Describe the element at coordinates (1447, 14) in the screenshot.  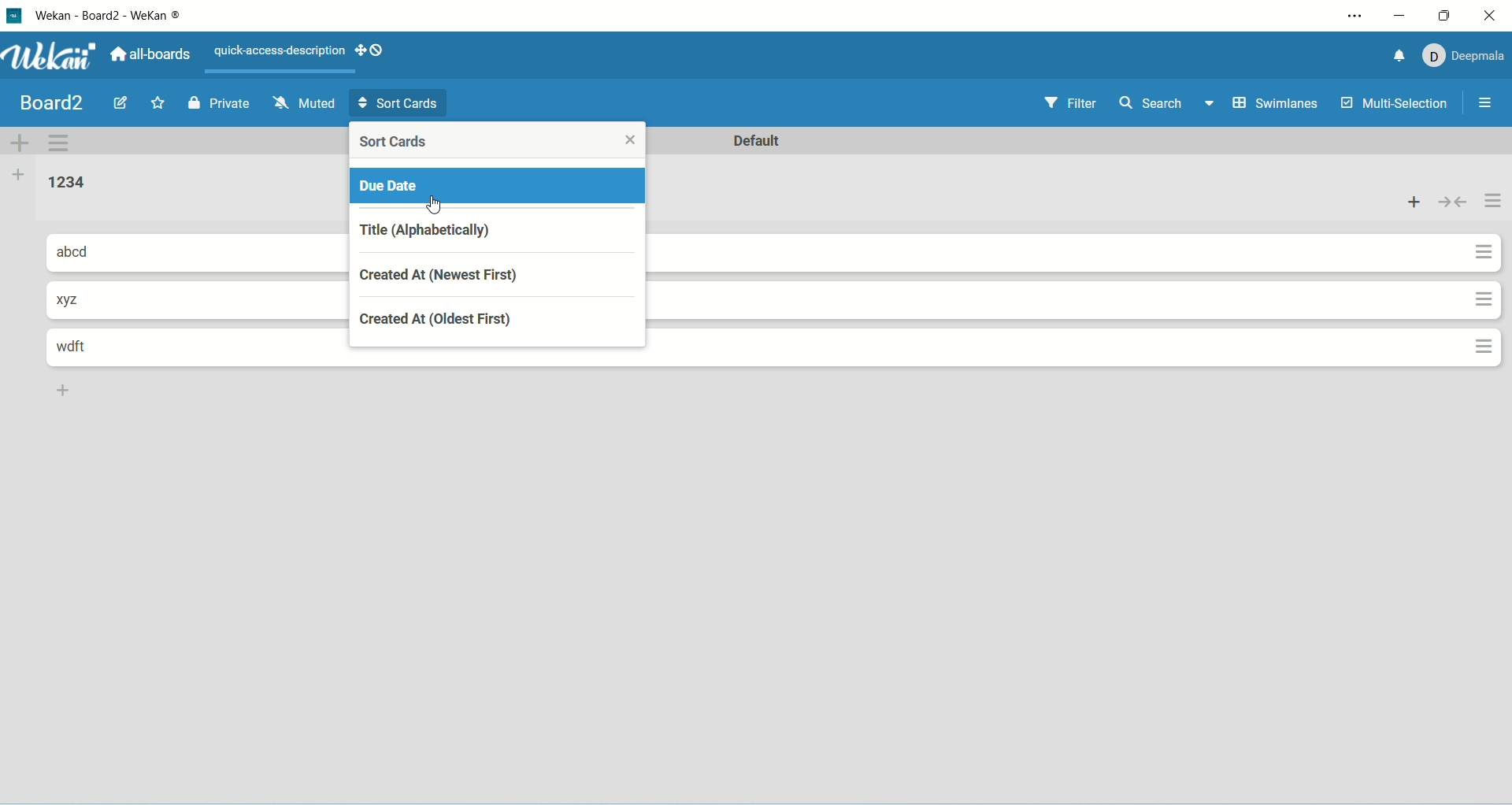
I see `maximize` at that location.